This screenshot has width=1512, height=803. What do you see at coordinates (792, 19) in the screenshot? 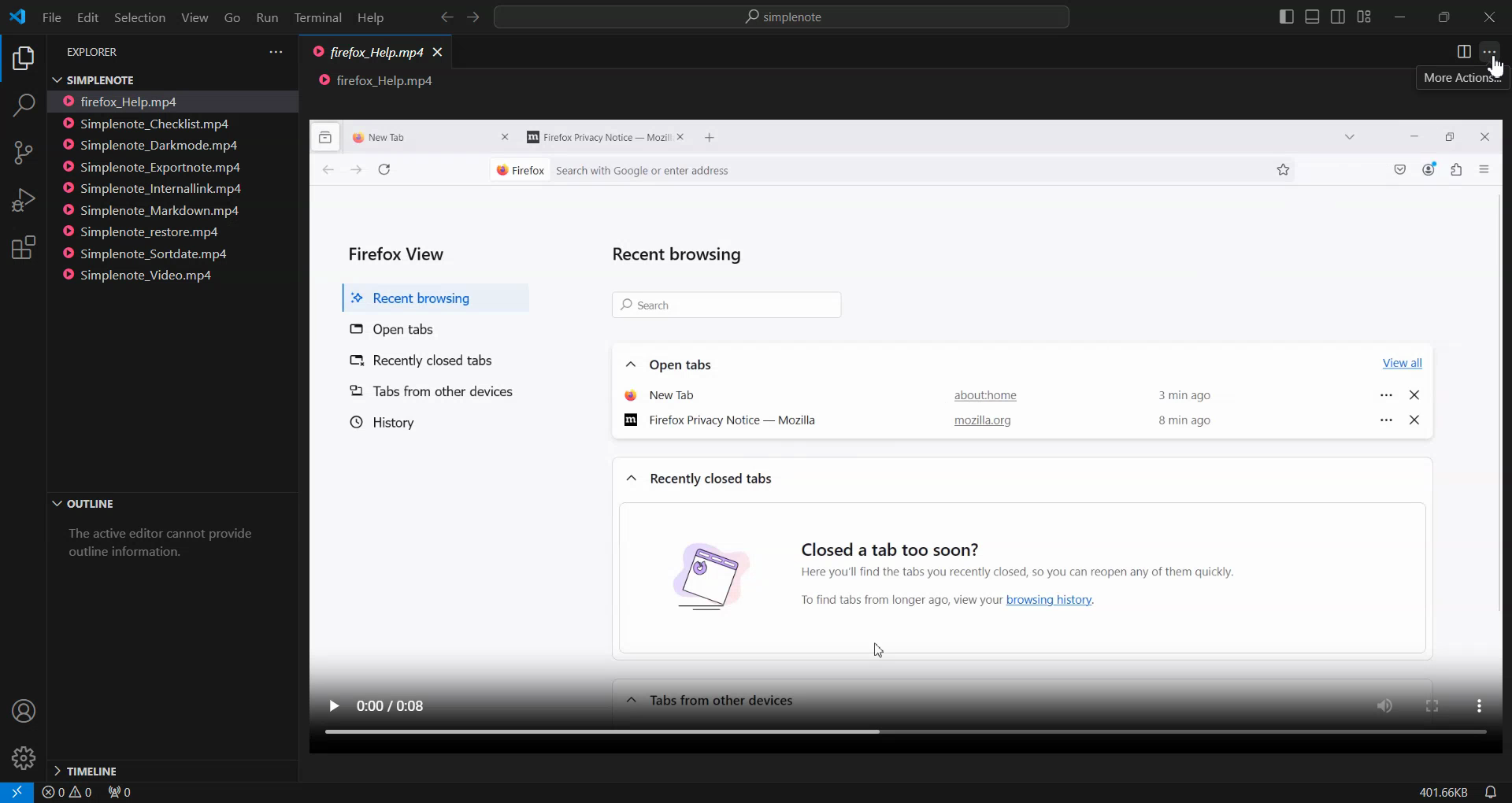
I see `simplenote` at bounding box center [792, 19].